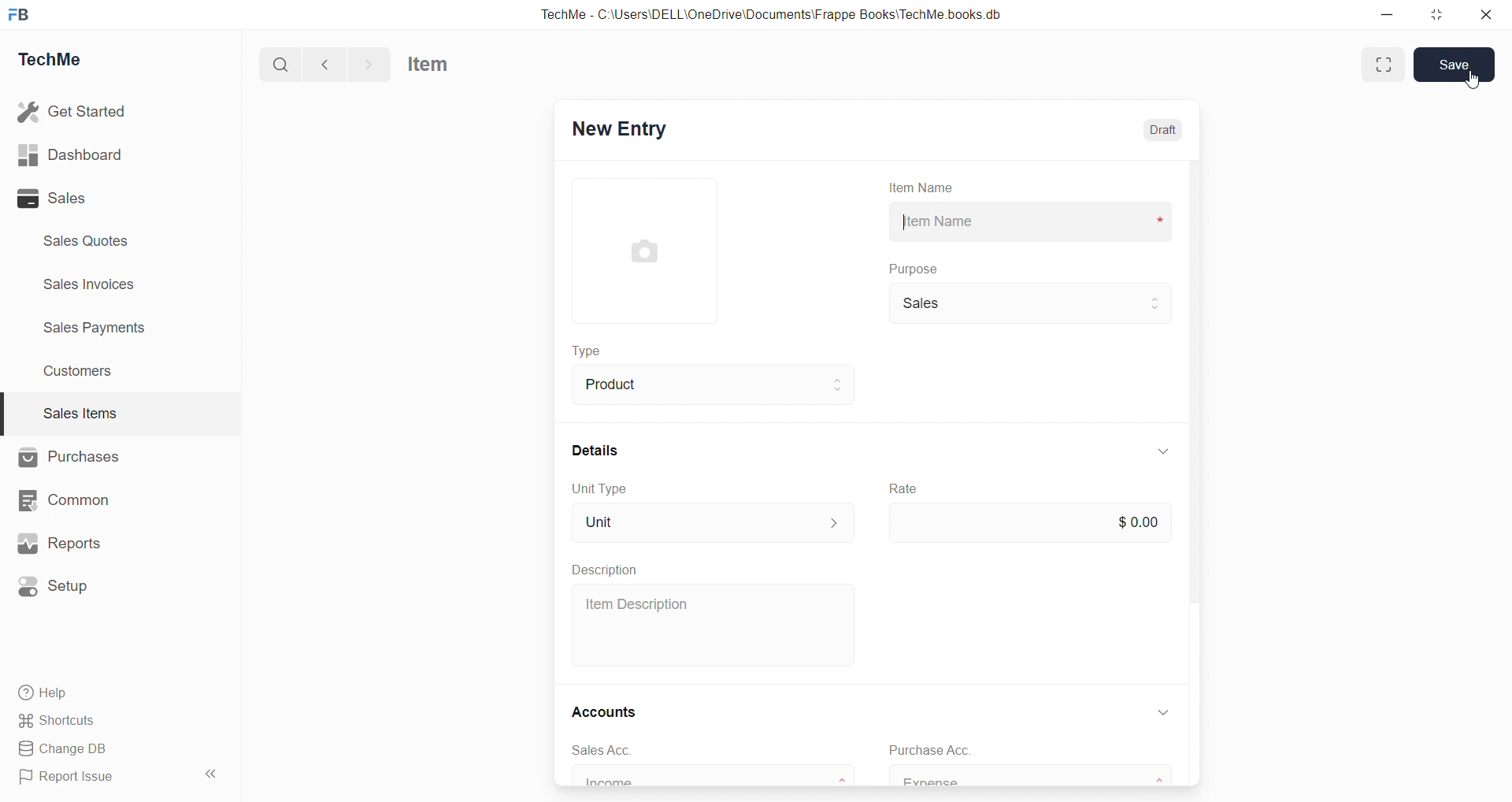 The height and width of the screenshot is (802, 1512). What do you see at coordinates (1028, 304) in the screenshot?
I see `Sales` at bounding box center [1028, 304].